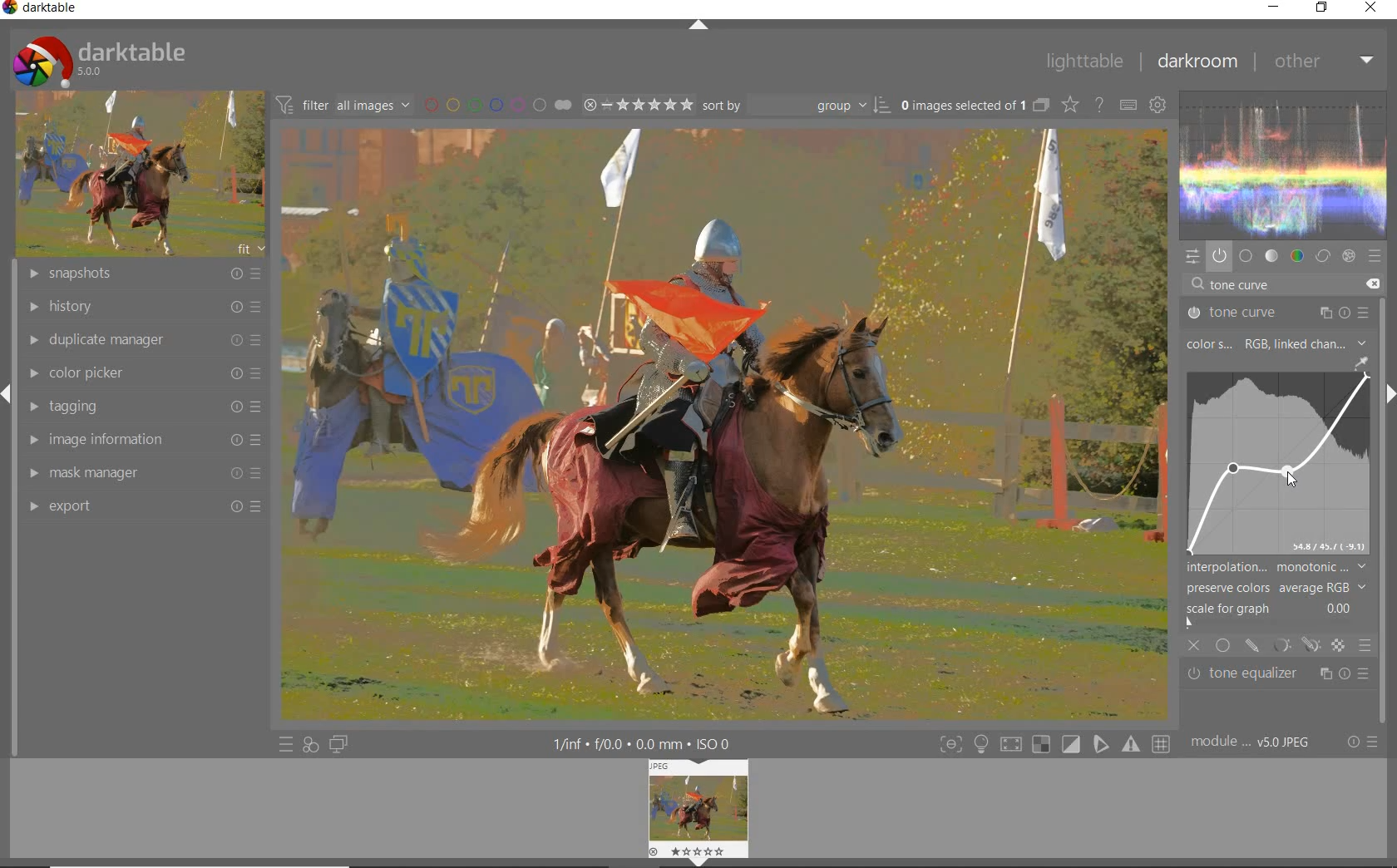 The width and height of the screenshot is (1397, 868). What do you see at coordinates (1284, 163) in the screenshot?
I see `waveform` at bounding box center [1284, 163].